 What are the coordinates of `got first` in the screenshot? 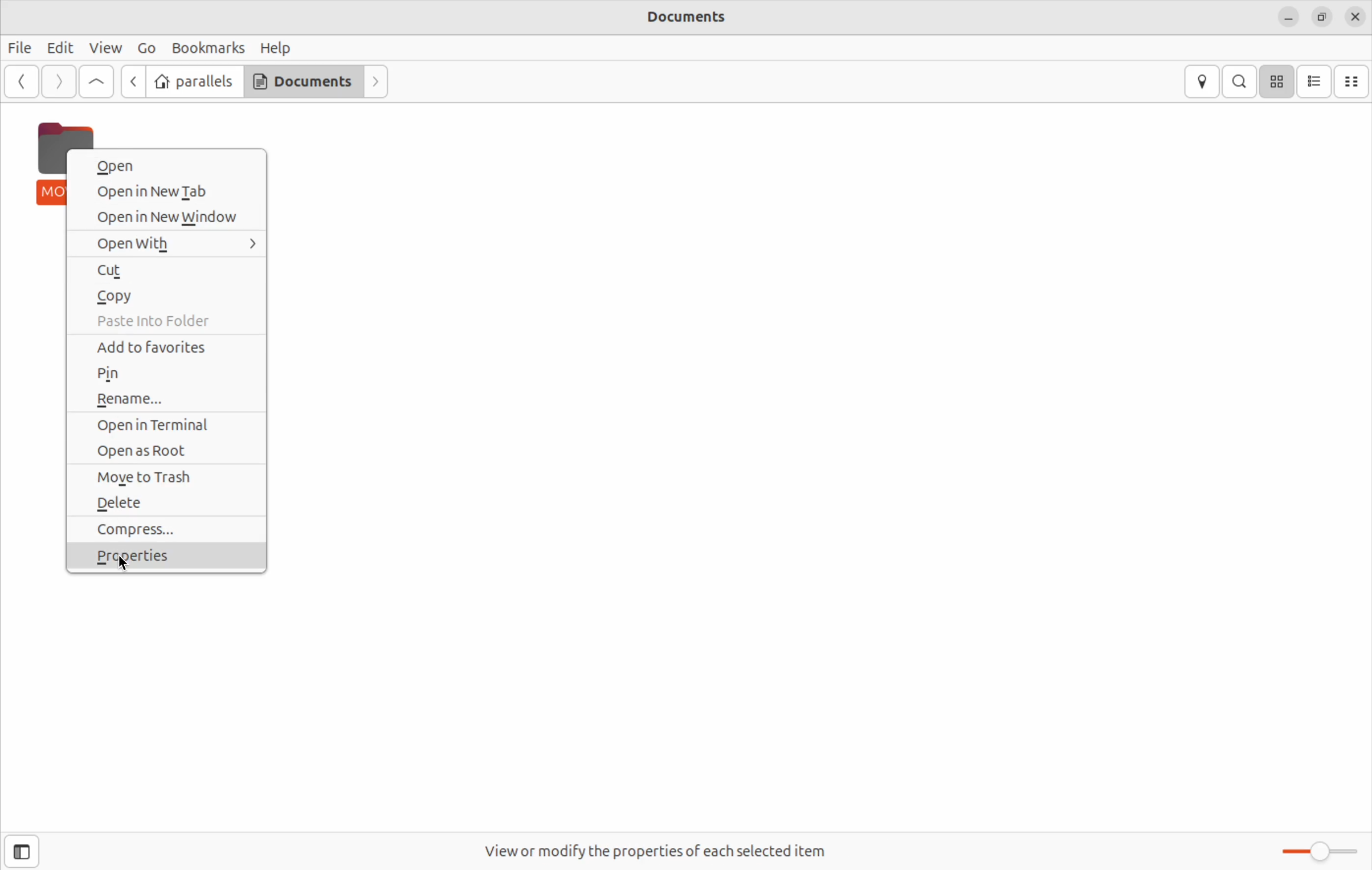 It's located at (97, 81).